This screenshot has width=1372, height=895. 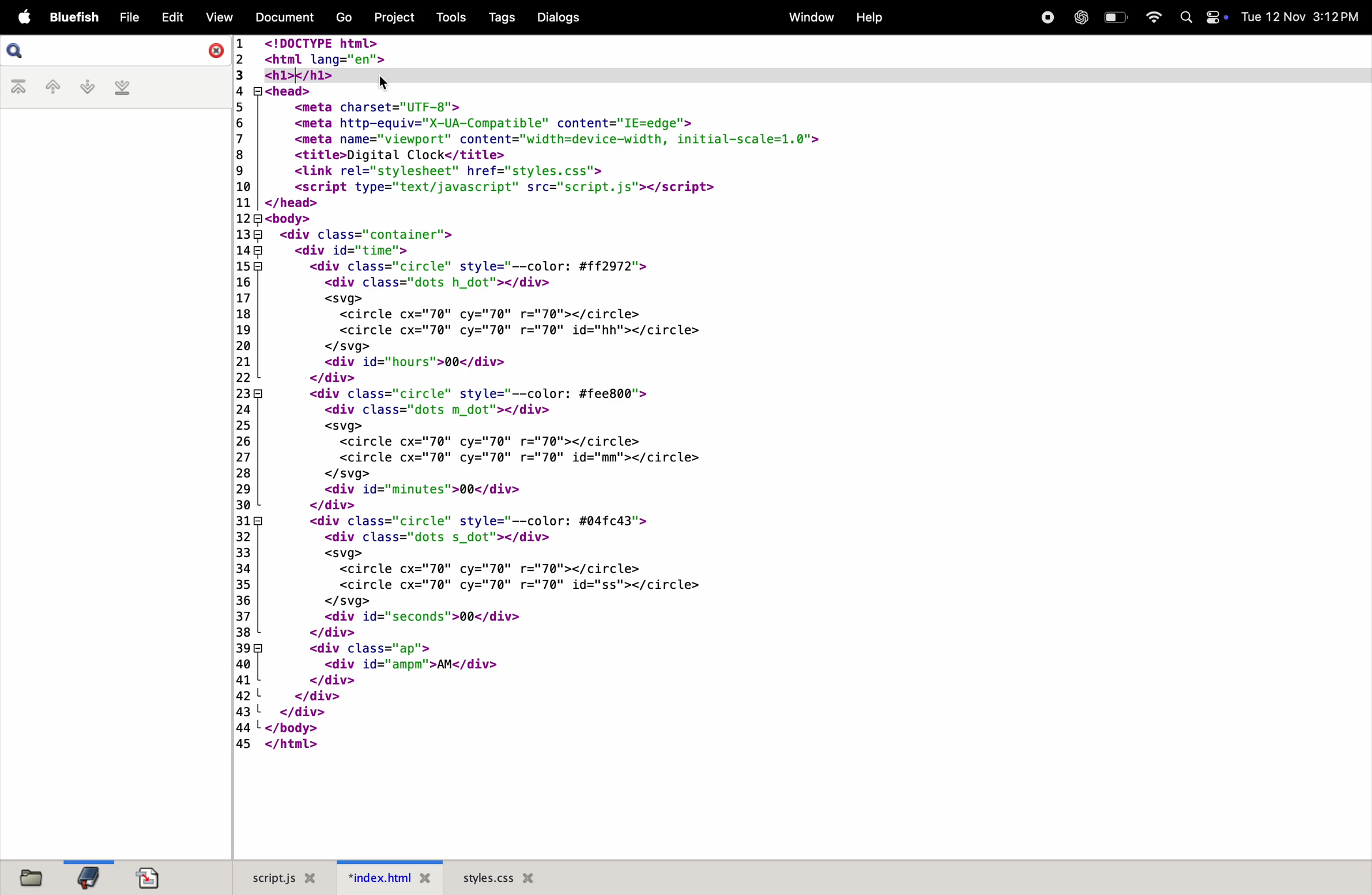 What do you see at coordinates (342, 18) in the screenshot?
I see `go` at bounding box center [342, 18].